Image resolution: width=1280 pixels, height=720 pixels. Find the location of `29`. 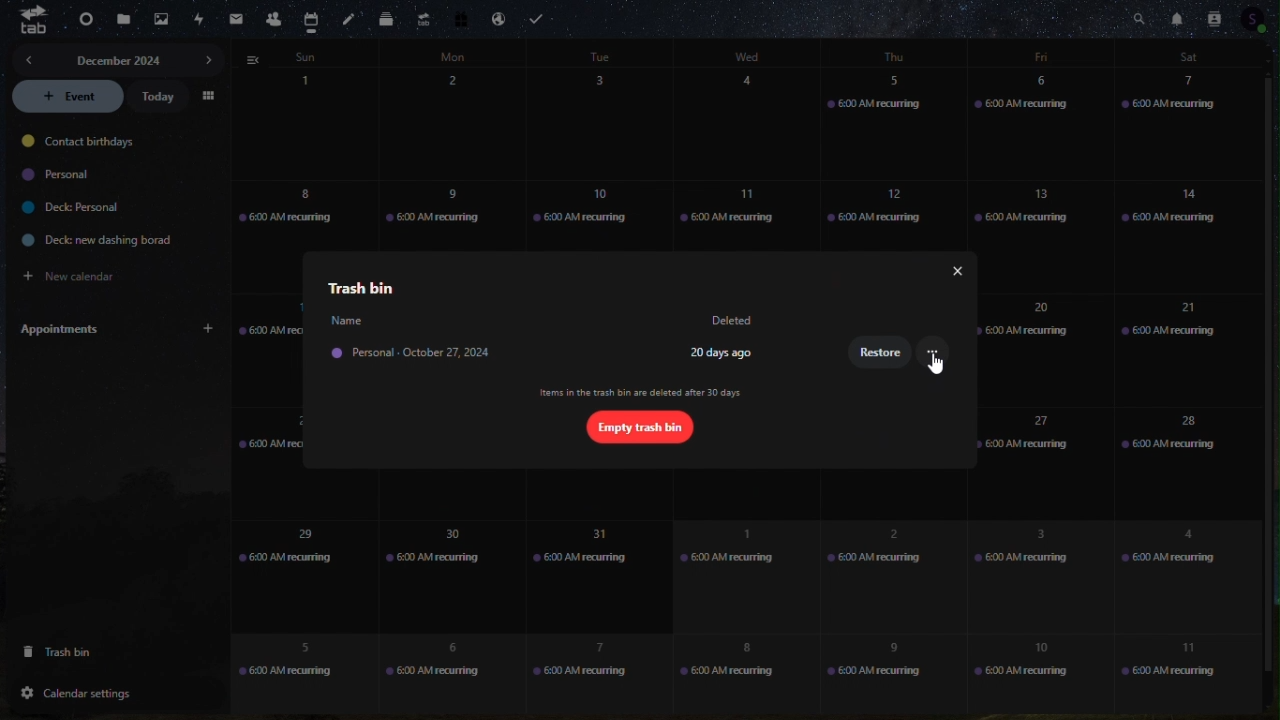

29 is located at coordinates (301, 561).